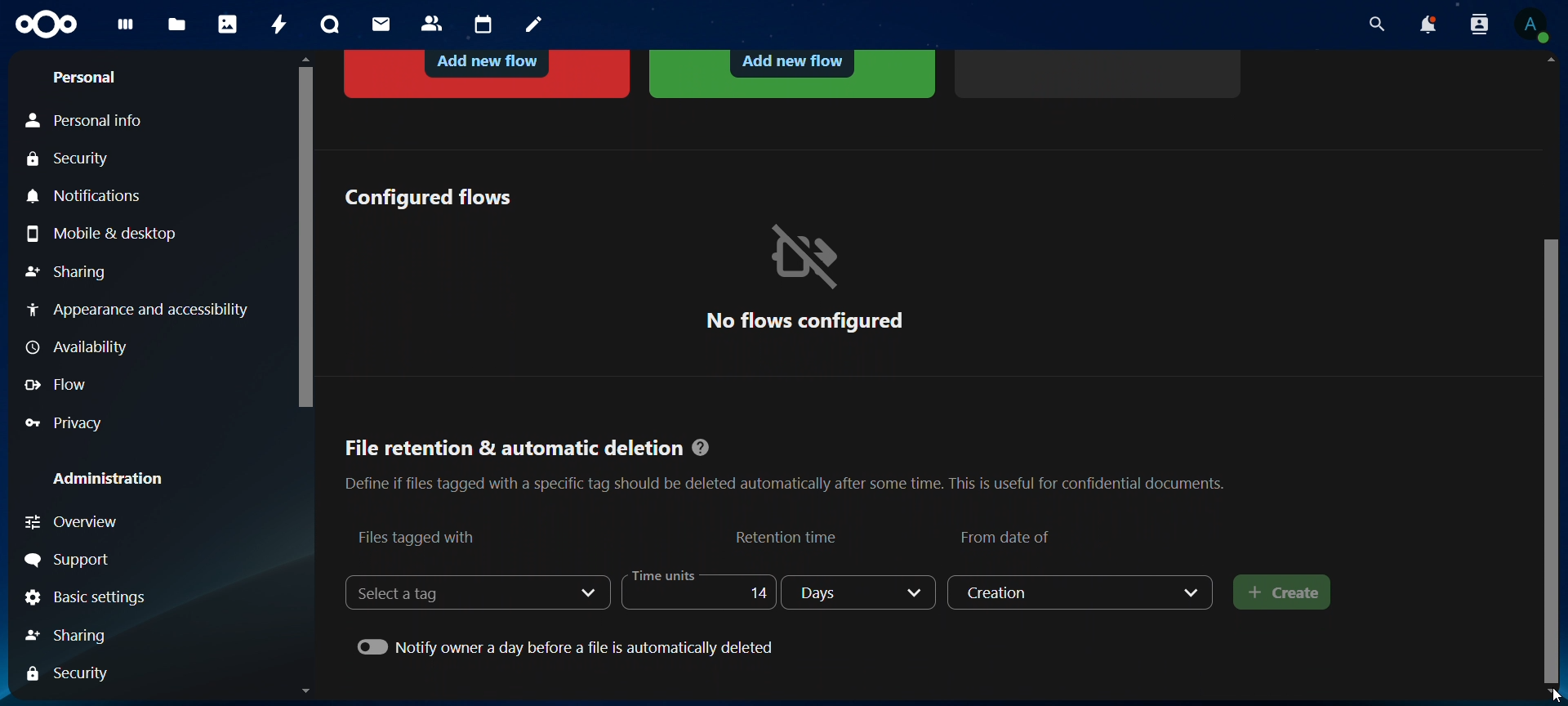 This screenshot has height=706, width=1568. What do you see at coordinates (228, 24) in the screenshot?
I see `photos` at bounding box center [228, 24].